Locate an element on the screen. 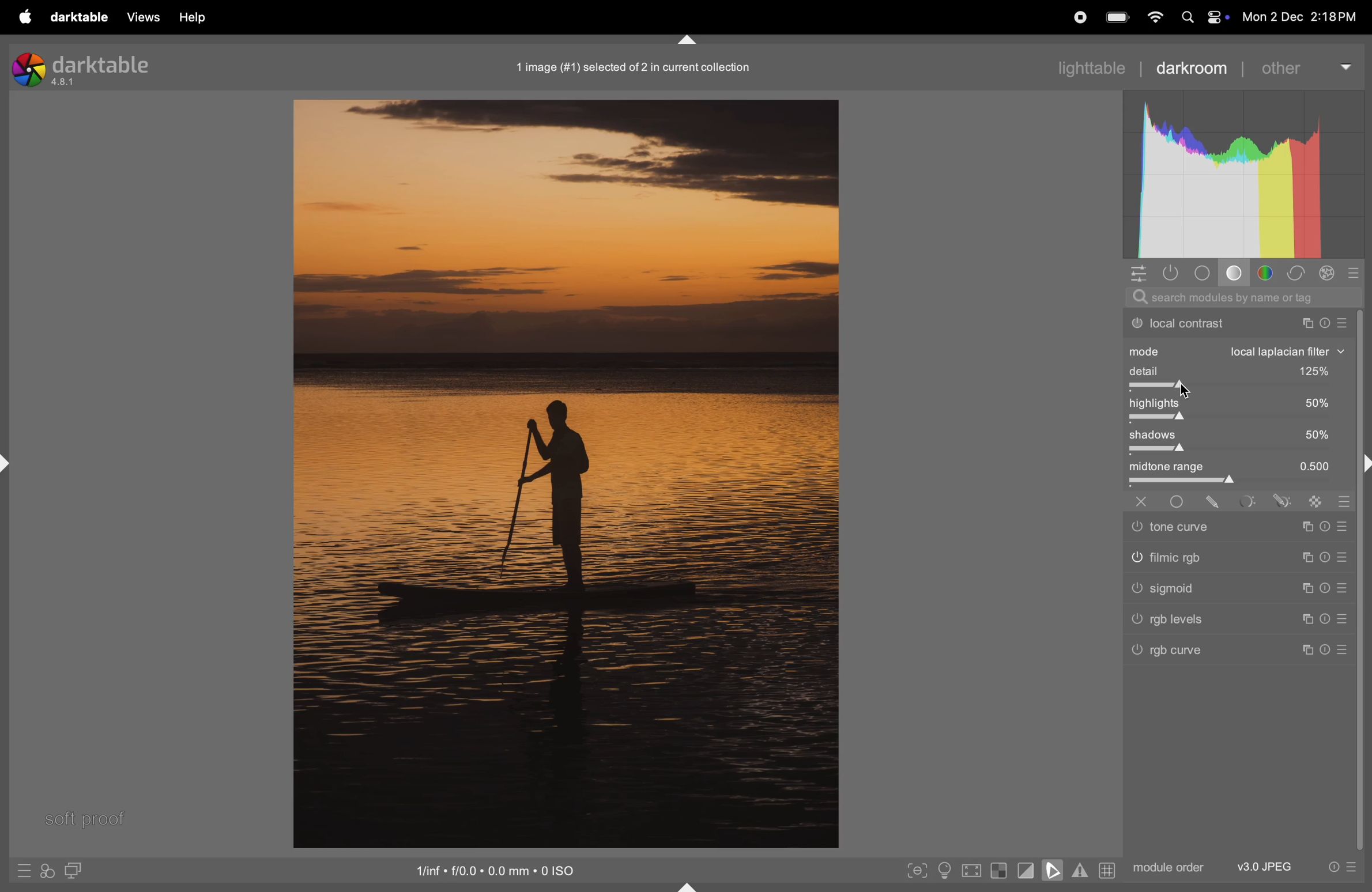 This screenshot has width=1372, height=892. sign is located at coordinates (1250, 502).